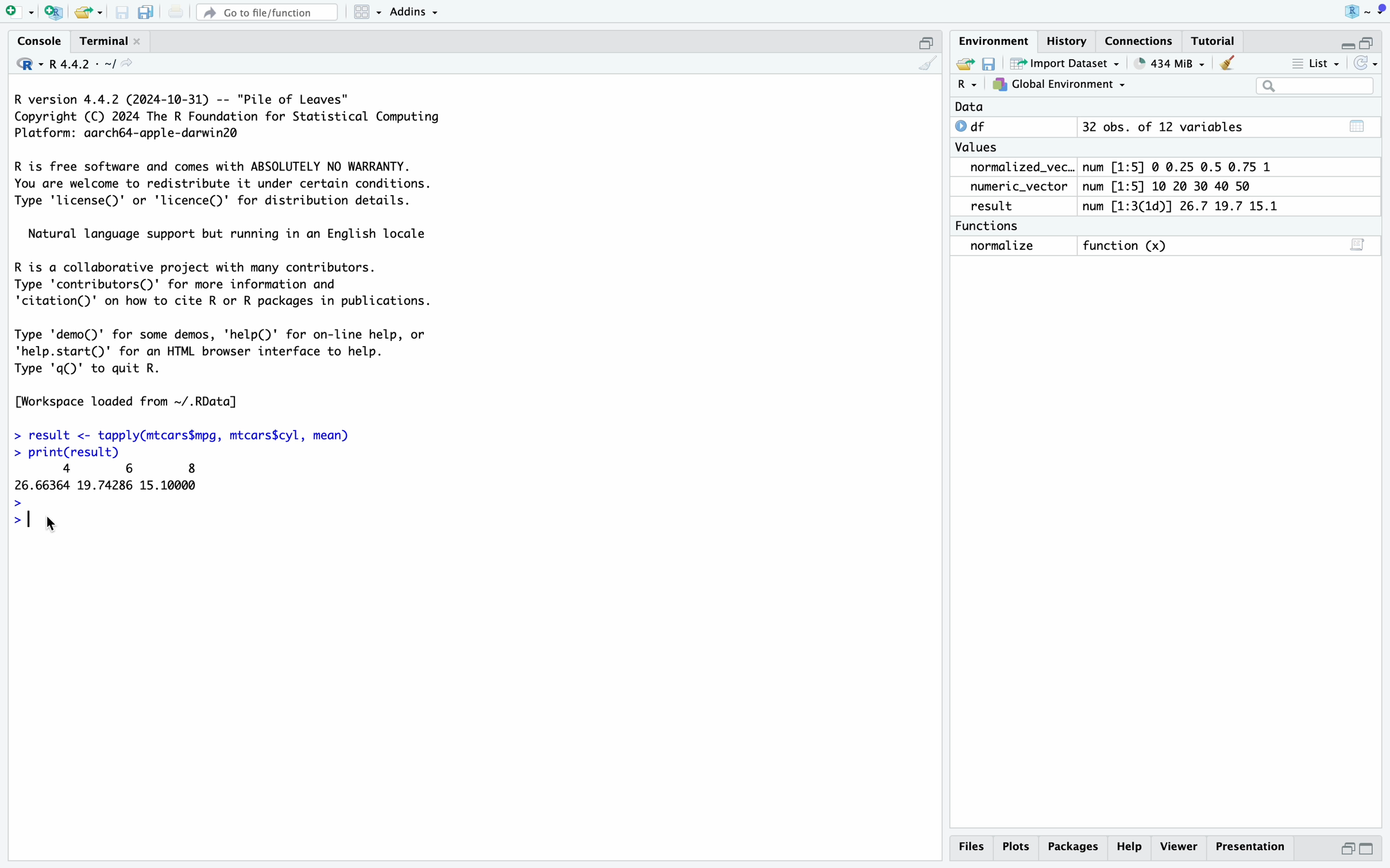 The image size is (1390, 868). I want to click on History, so click(1068, 40).